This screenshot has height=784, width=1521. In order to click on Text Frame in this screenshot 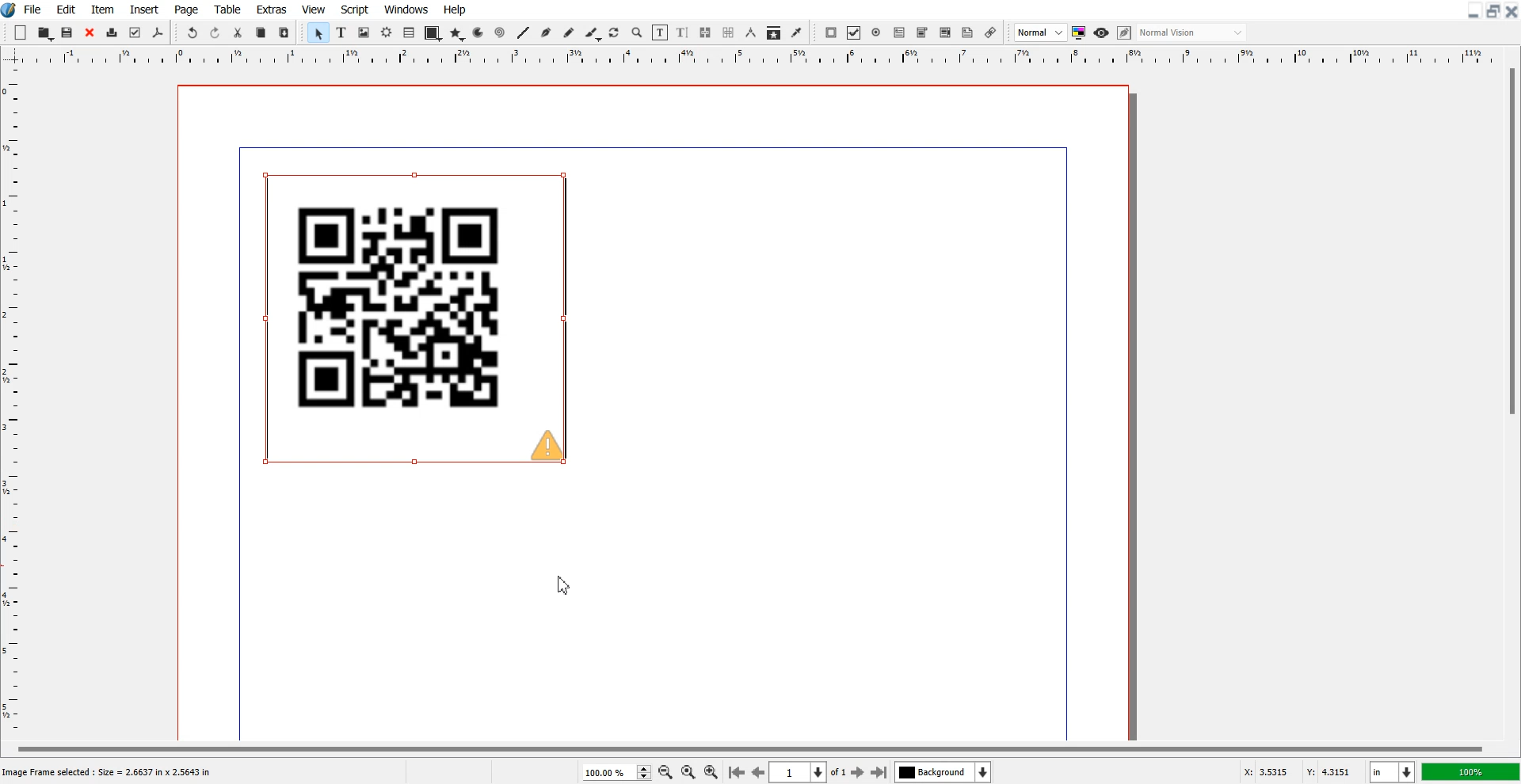, I will do `click(341, 32)`.